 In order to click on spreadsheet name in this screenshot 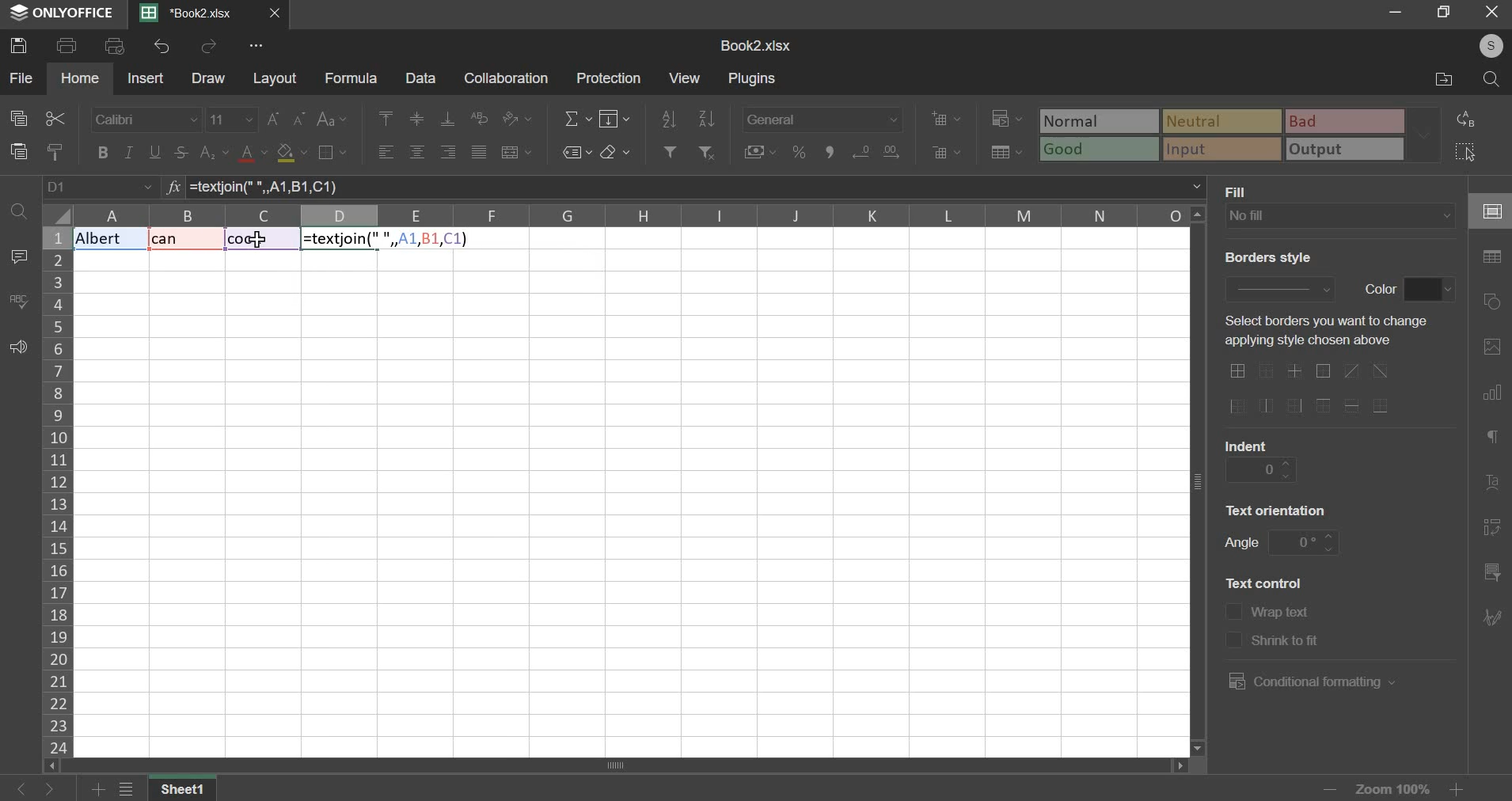, I will do `click(755, 46)`.